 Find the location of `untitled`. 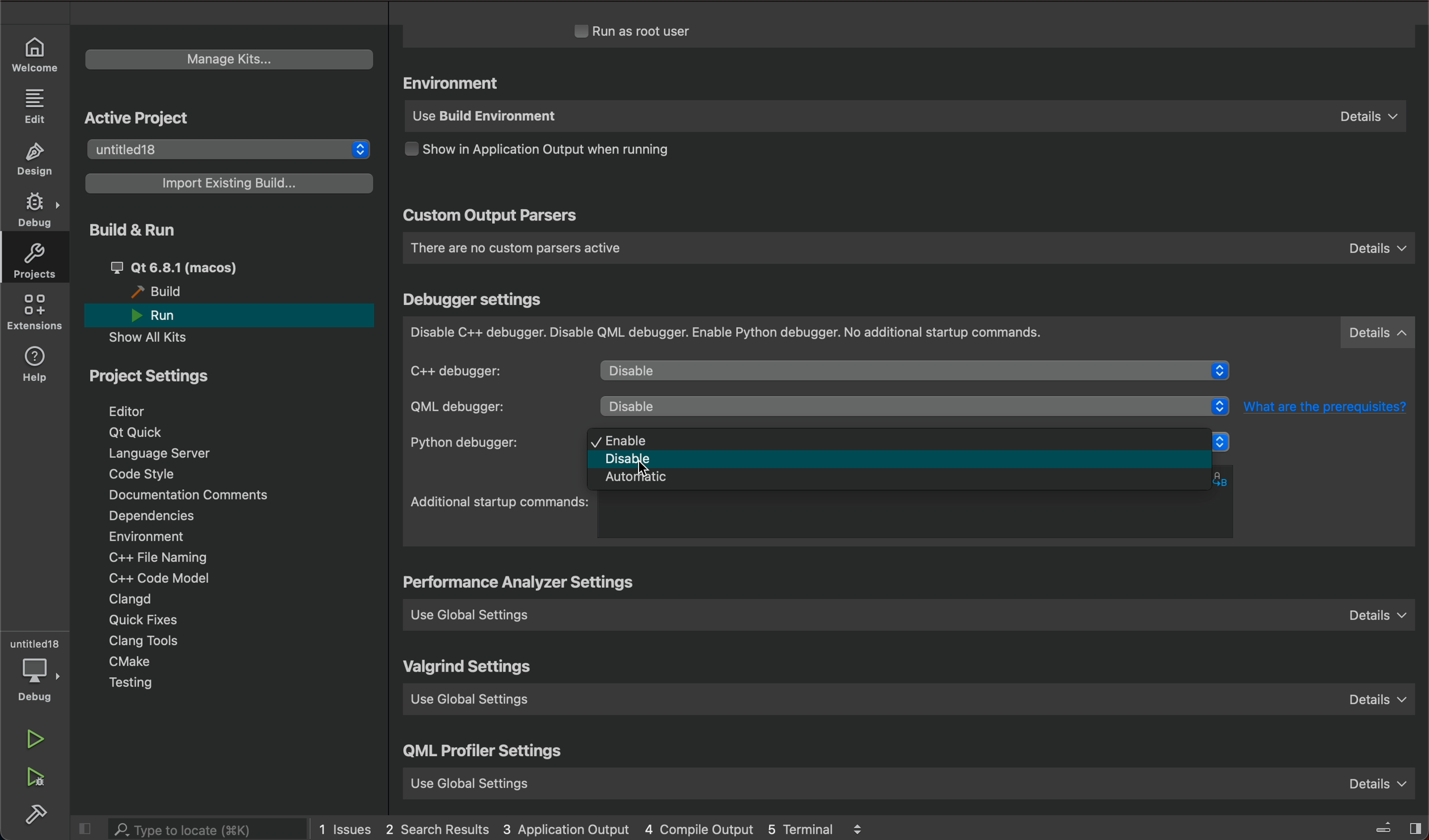

untitled is located at coordinates (35, 644).